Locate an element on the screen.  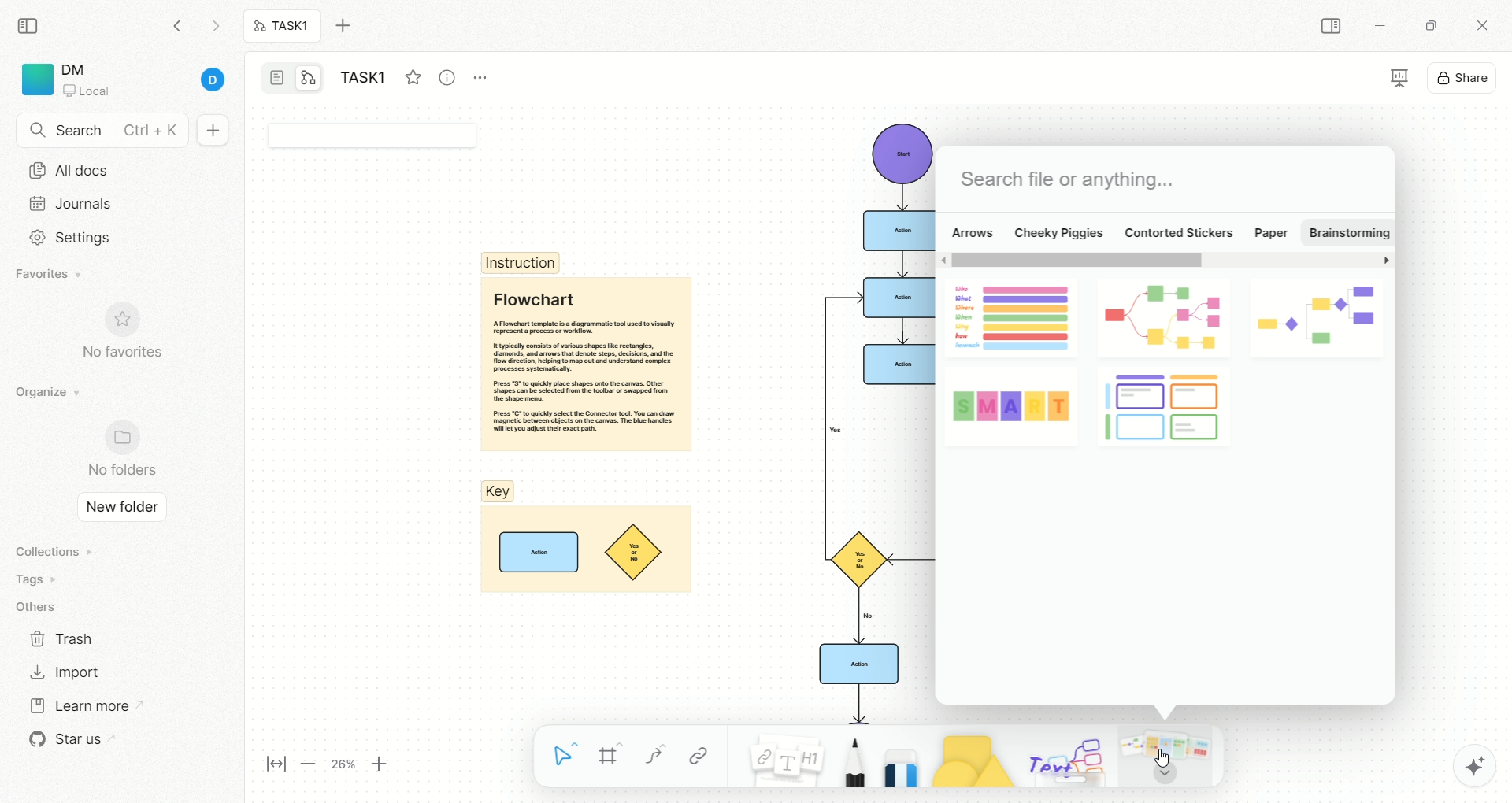
share is located at coordinates (1464, 76).